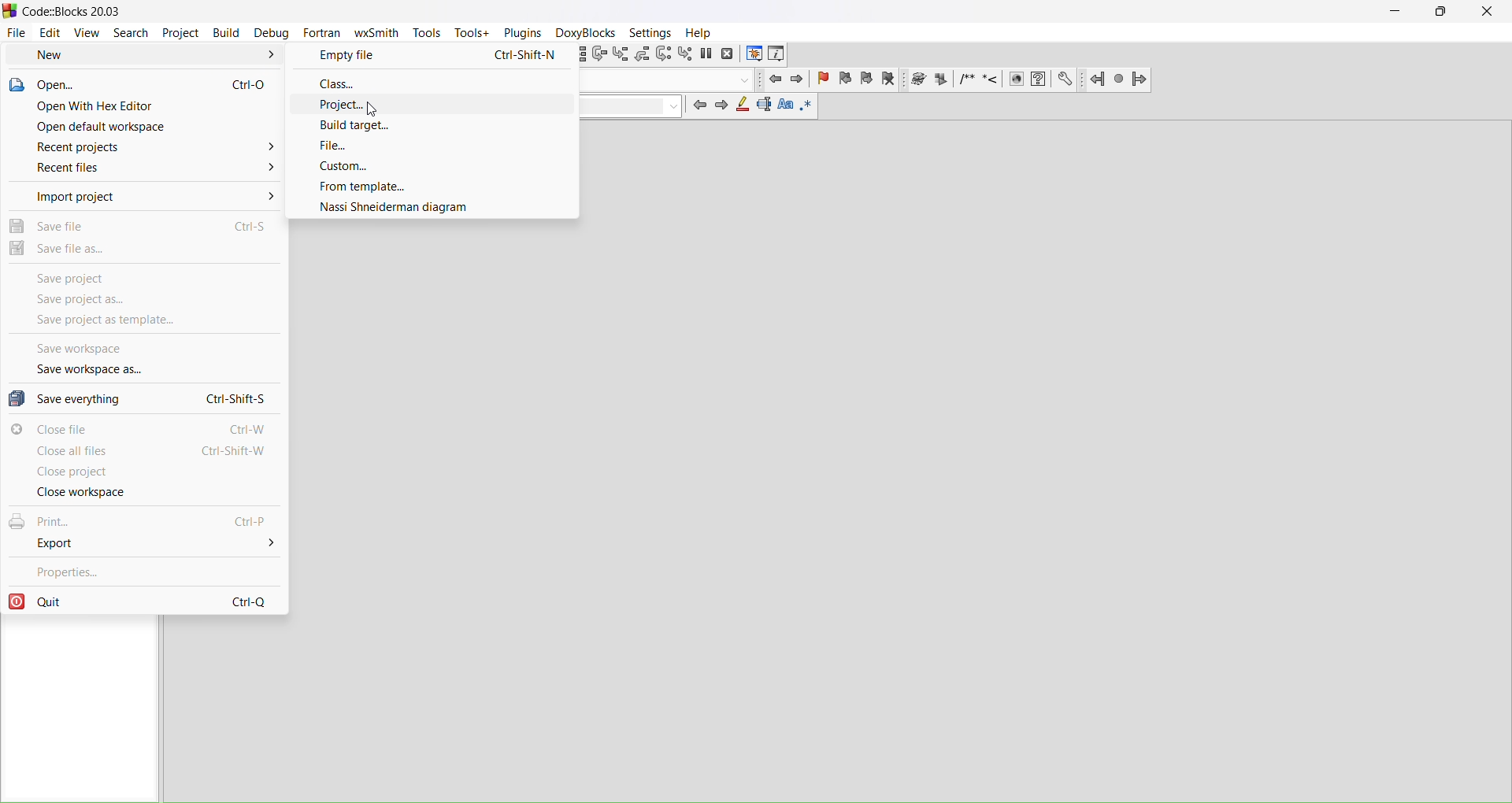 The height and width of the screenshot is (803, 1512). I want to click on file, so click(432, 146).